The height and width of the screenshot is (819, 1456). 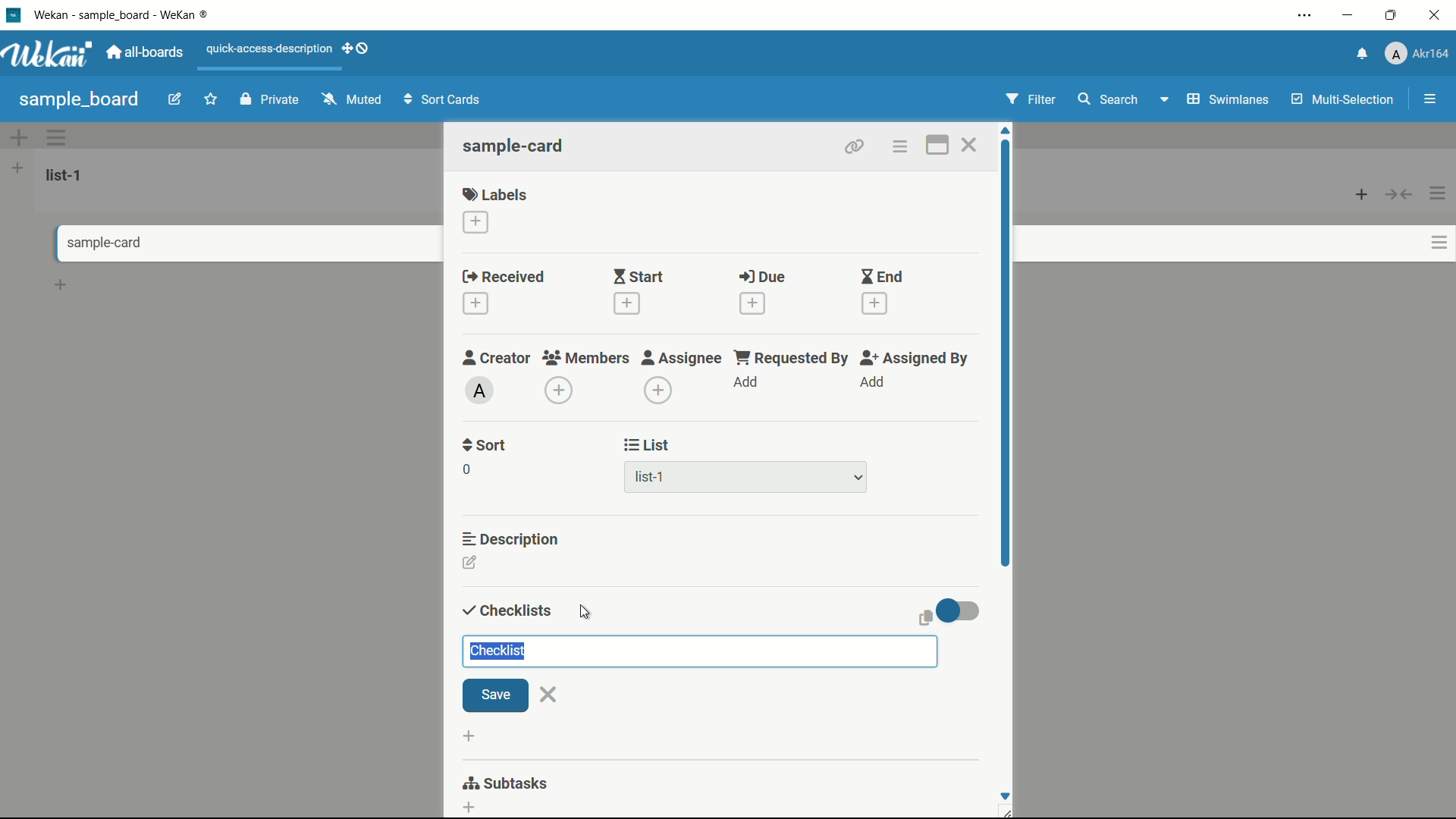 I want to click on minimize, so click(x=1346, y=16).